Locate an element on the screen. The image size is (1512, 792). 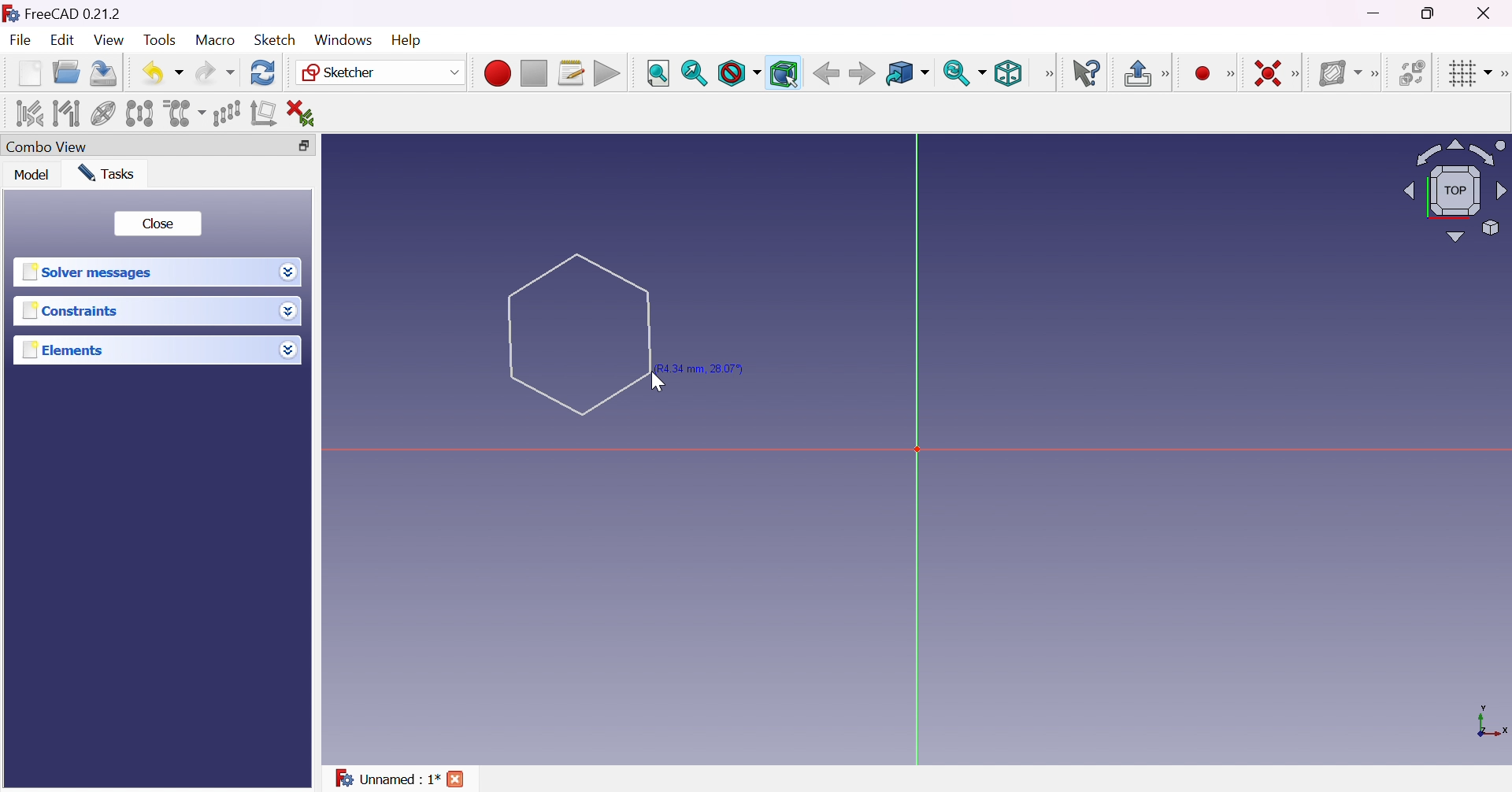
Polygon is located at coordinates (579, 334).